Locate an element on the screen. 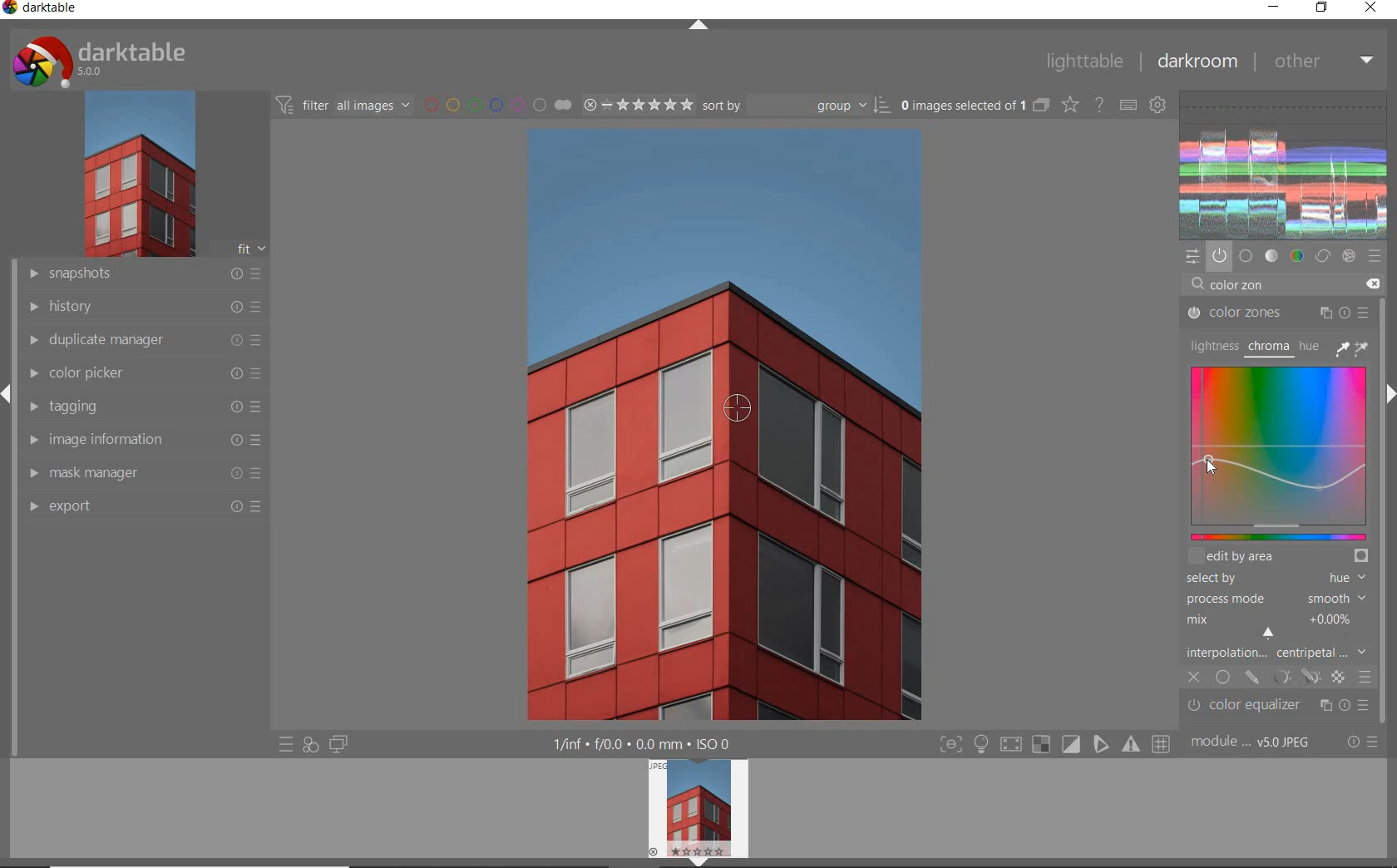  display information is located at coordinates (643, 744).